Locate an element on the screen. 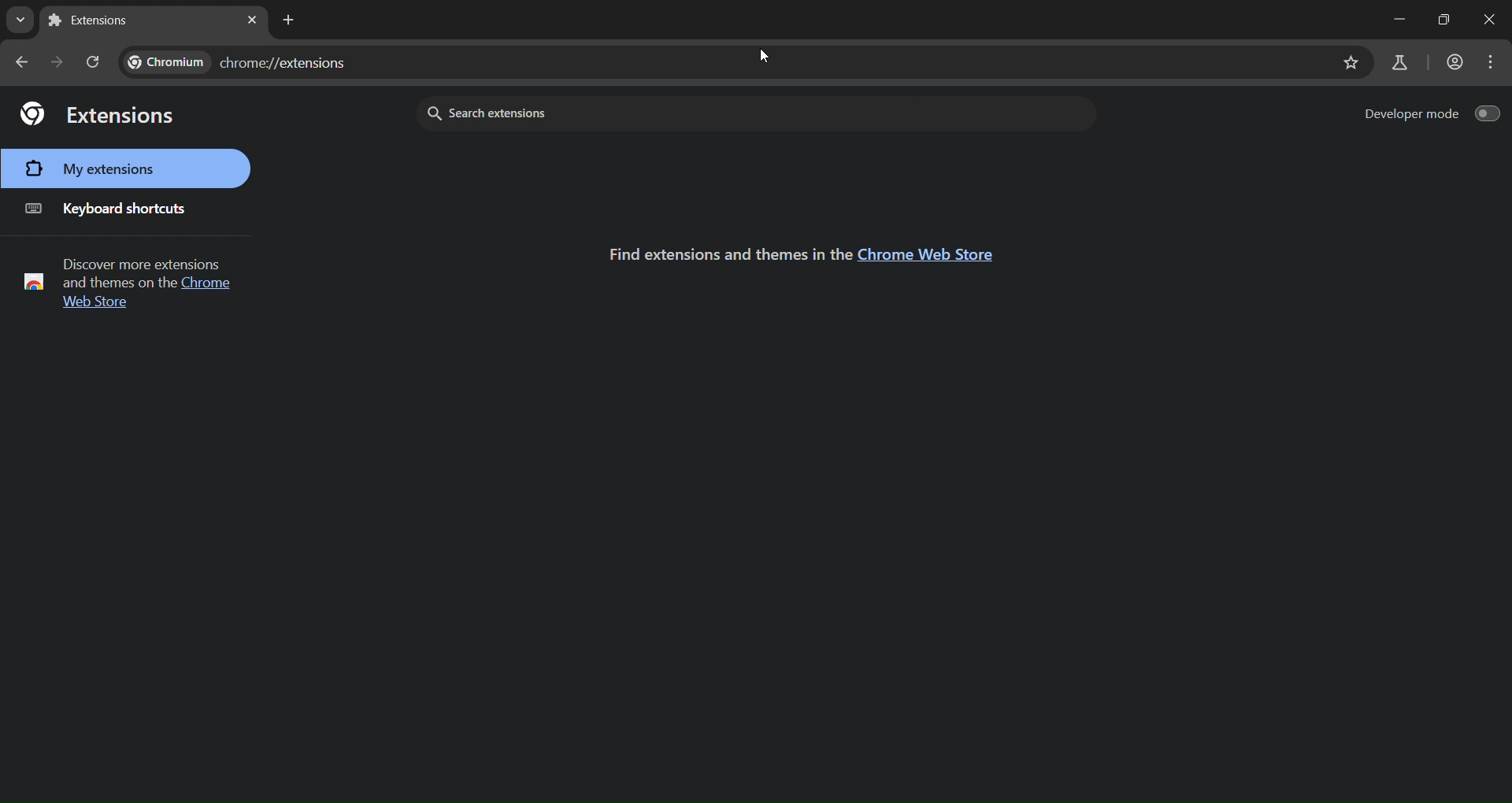 The image size is (1512, 803). cursor is located at coordinates (764, 54).